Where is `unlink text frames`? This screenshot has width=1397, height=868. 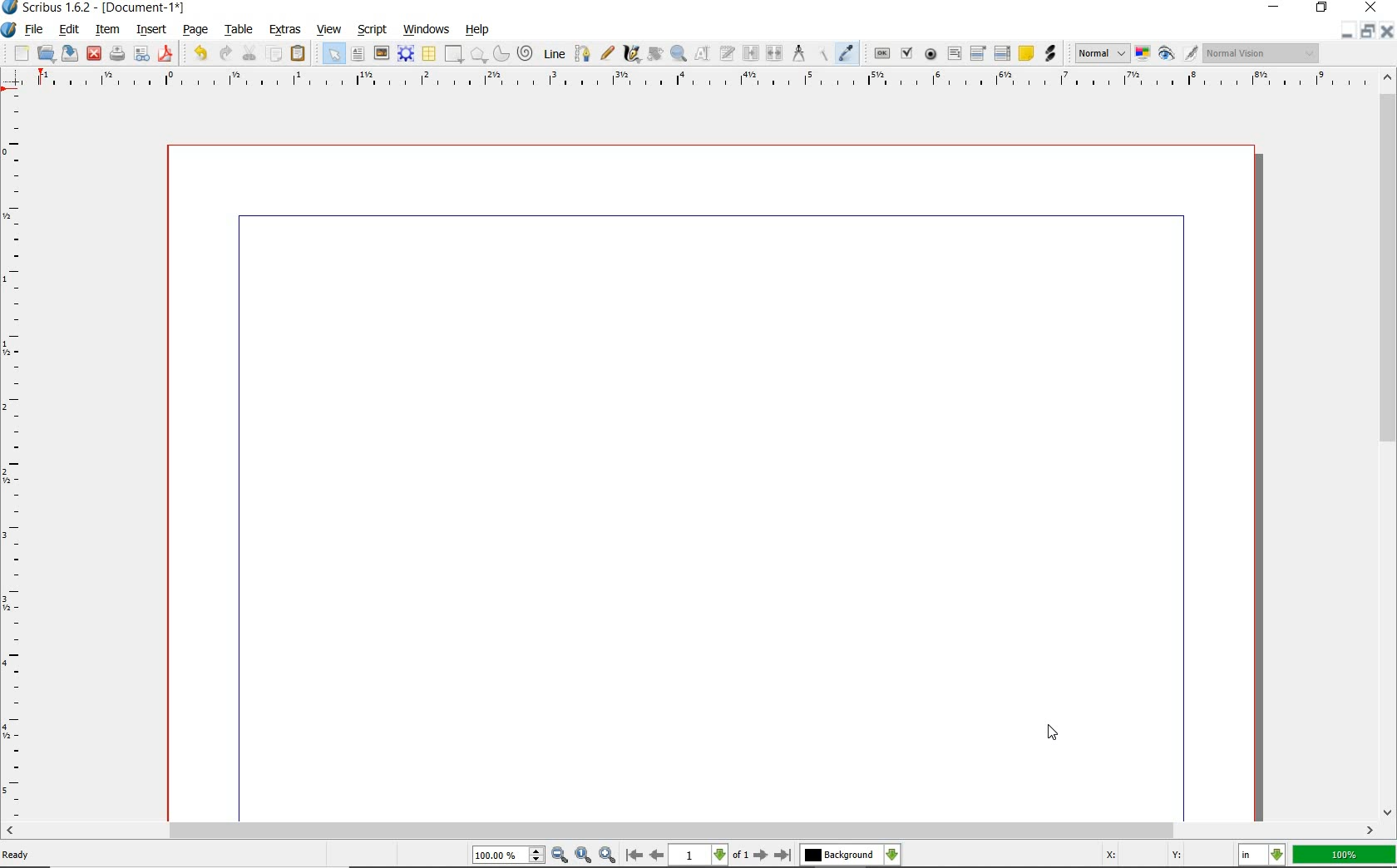
unlink text frames is located at coordinates (774, 53).